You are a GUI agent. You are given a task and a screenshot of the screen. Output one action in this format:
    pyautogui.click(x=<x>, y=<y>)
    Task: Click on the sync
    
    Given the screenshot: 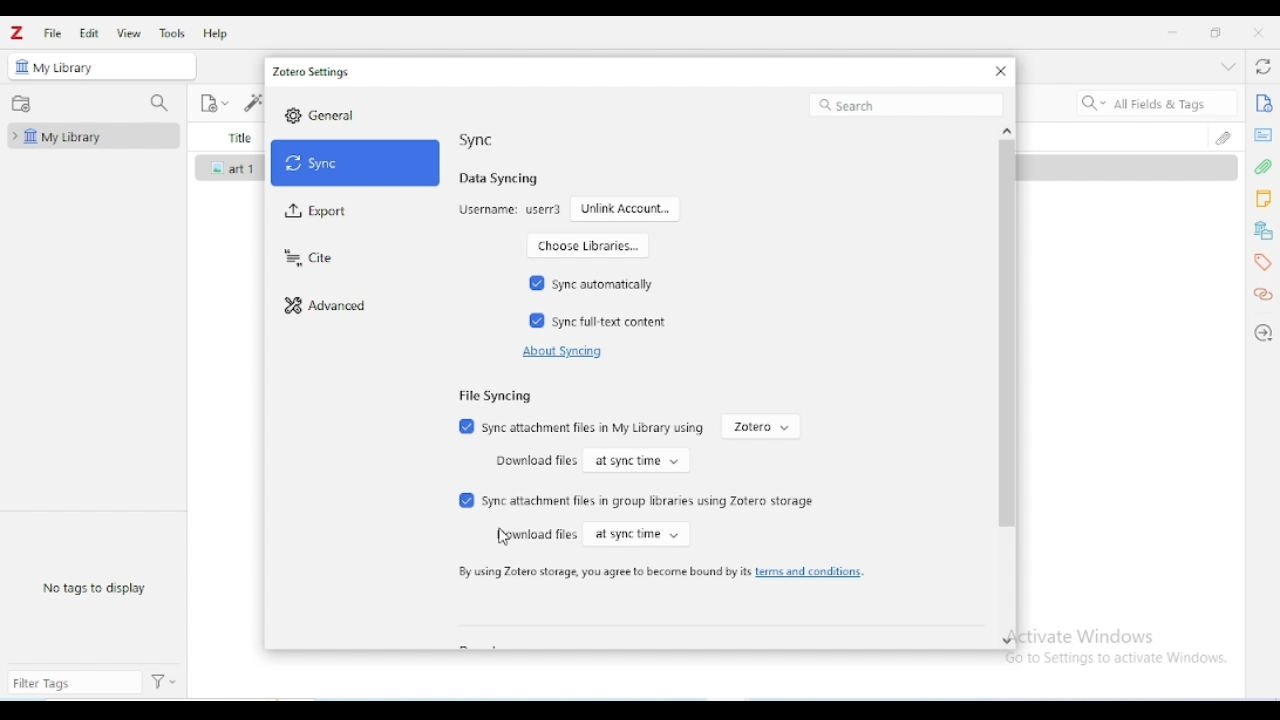 What is the action you would take?
    pyautogui.click(x=356, y=163)
    